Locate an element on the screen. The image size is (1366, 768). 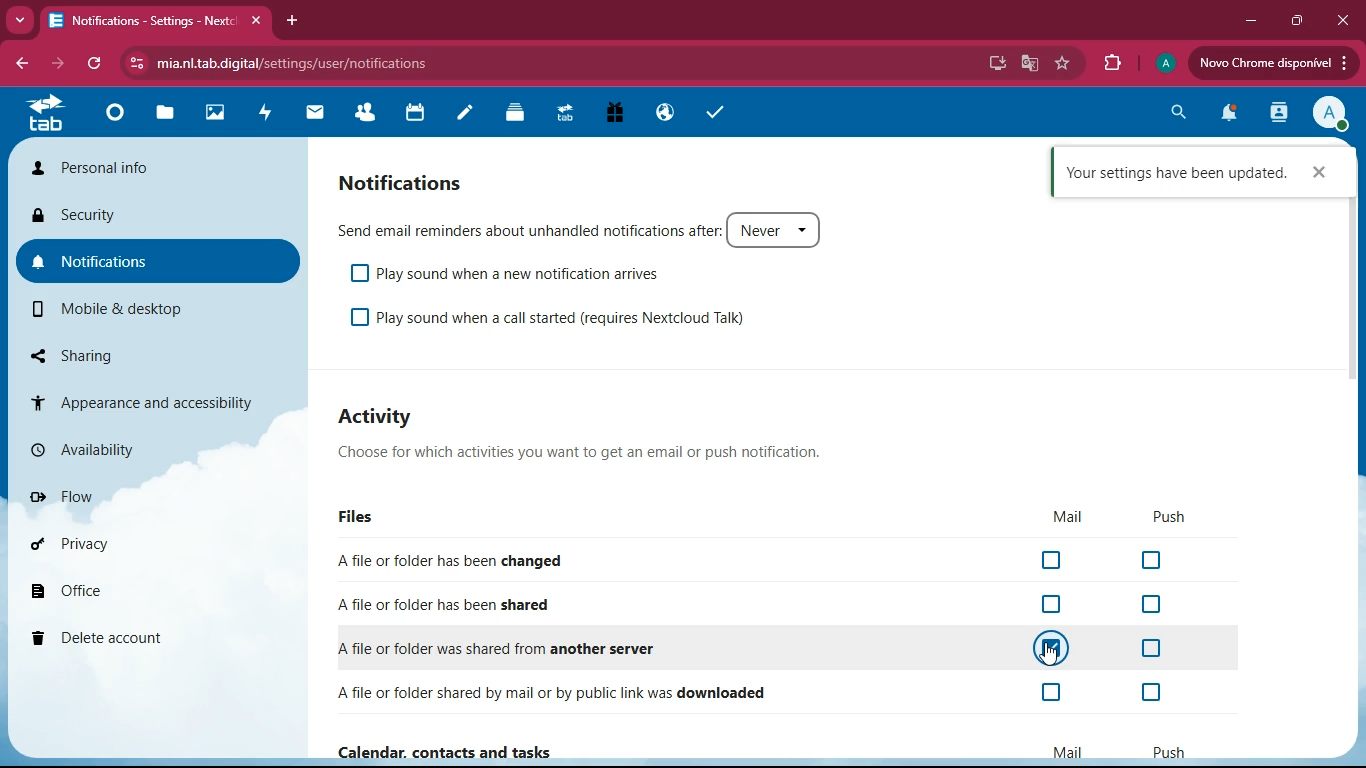
add tab is located at coordinates (290, 22).